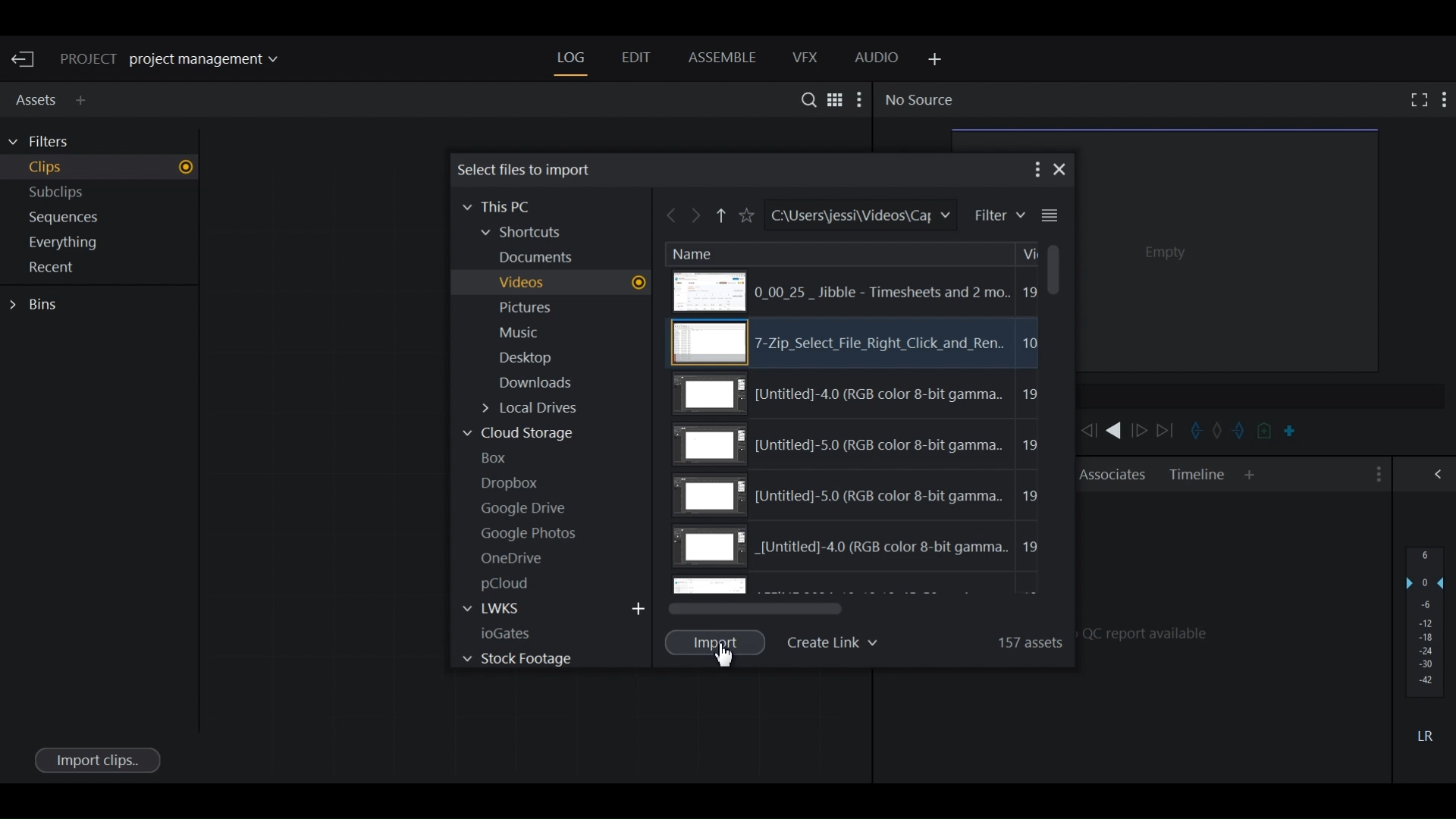 Image resolution: width=1456 pixels, height=819 pixels. I want to click on Google Photos, so click(533, 533).